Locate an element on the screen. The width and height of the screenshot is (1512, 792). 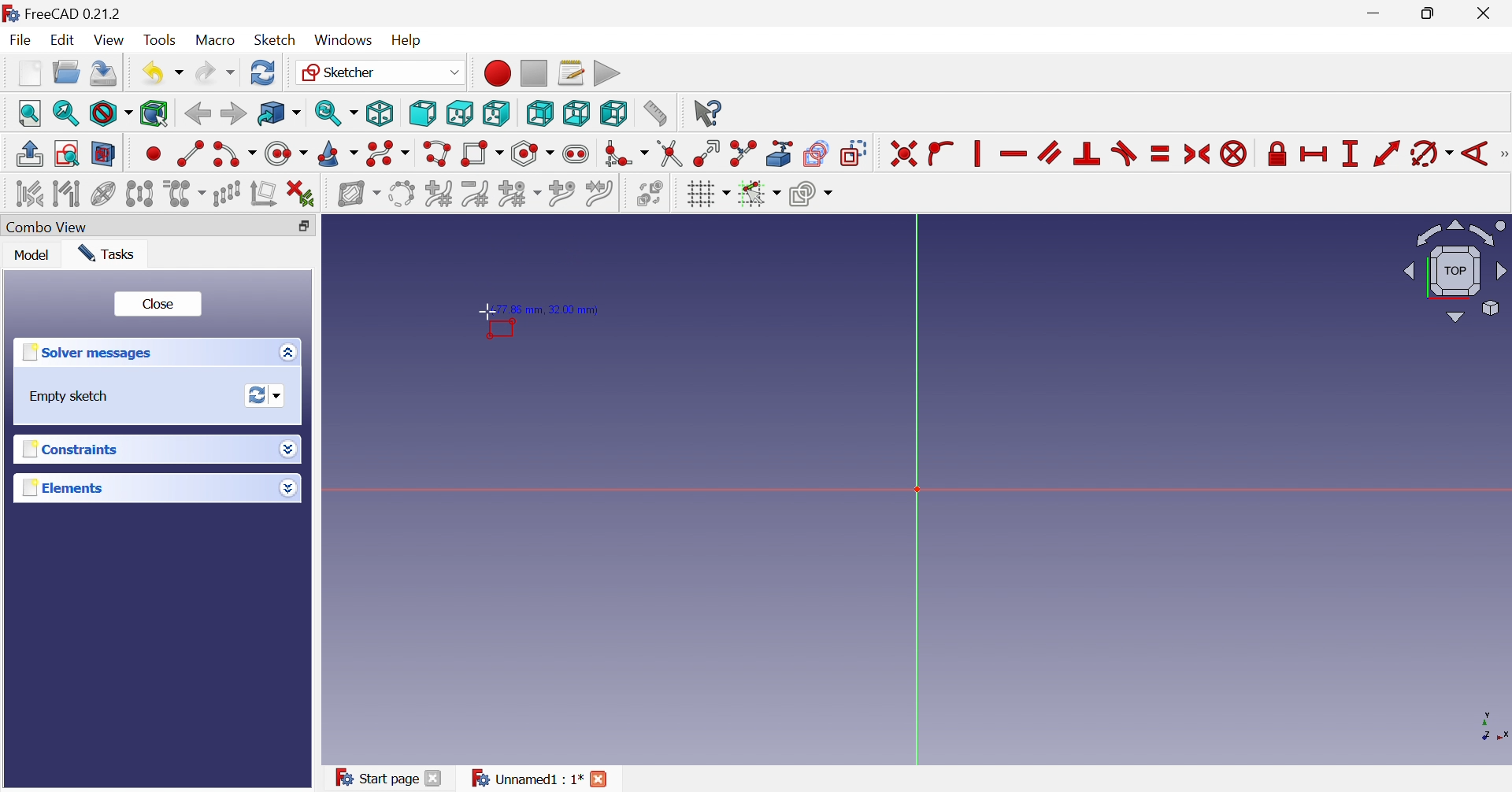
Model is located at coordinates (32, 257).